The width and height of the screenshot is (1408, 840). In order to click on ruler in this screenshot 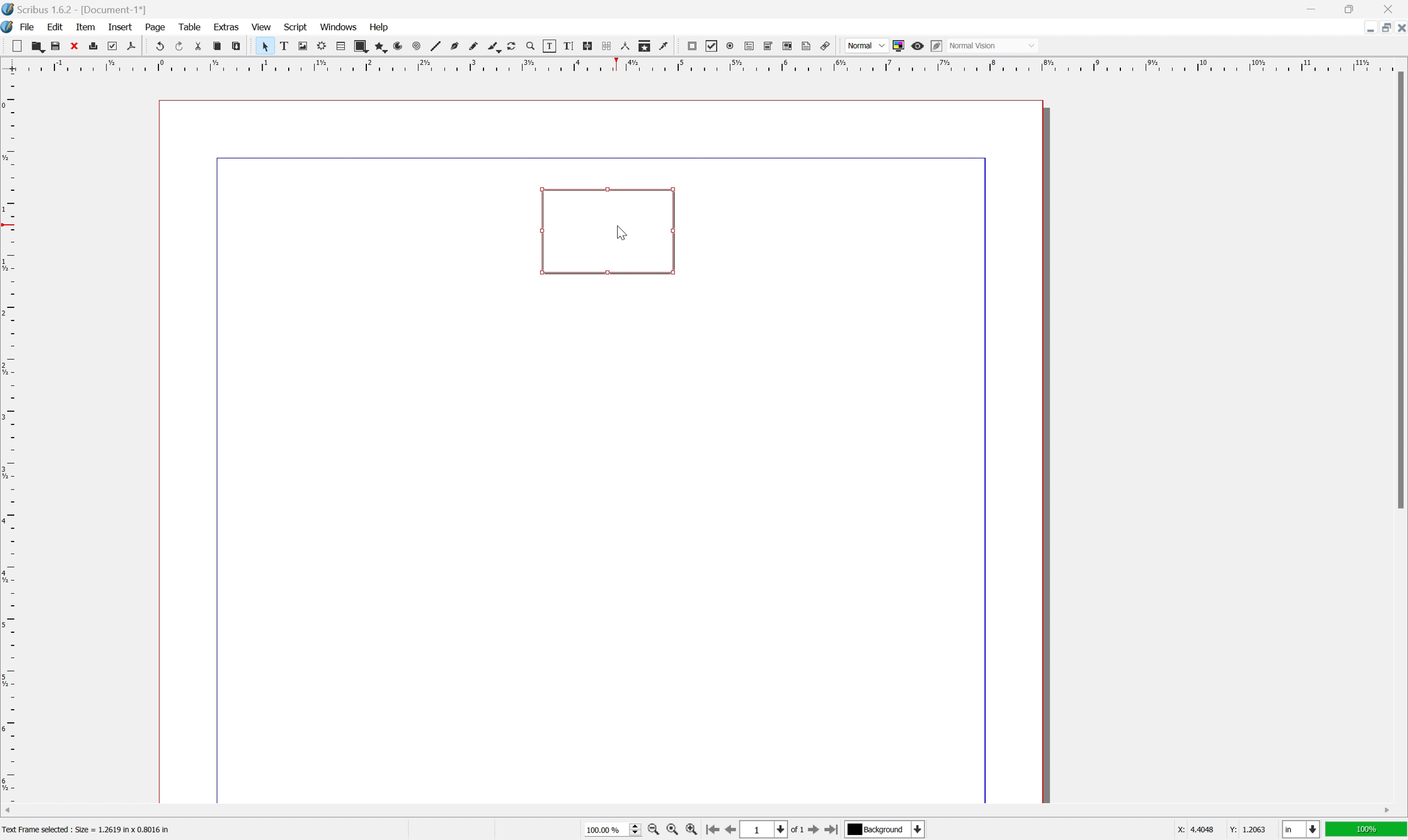, I will do `click(700, 65)`.